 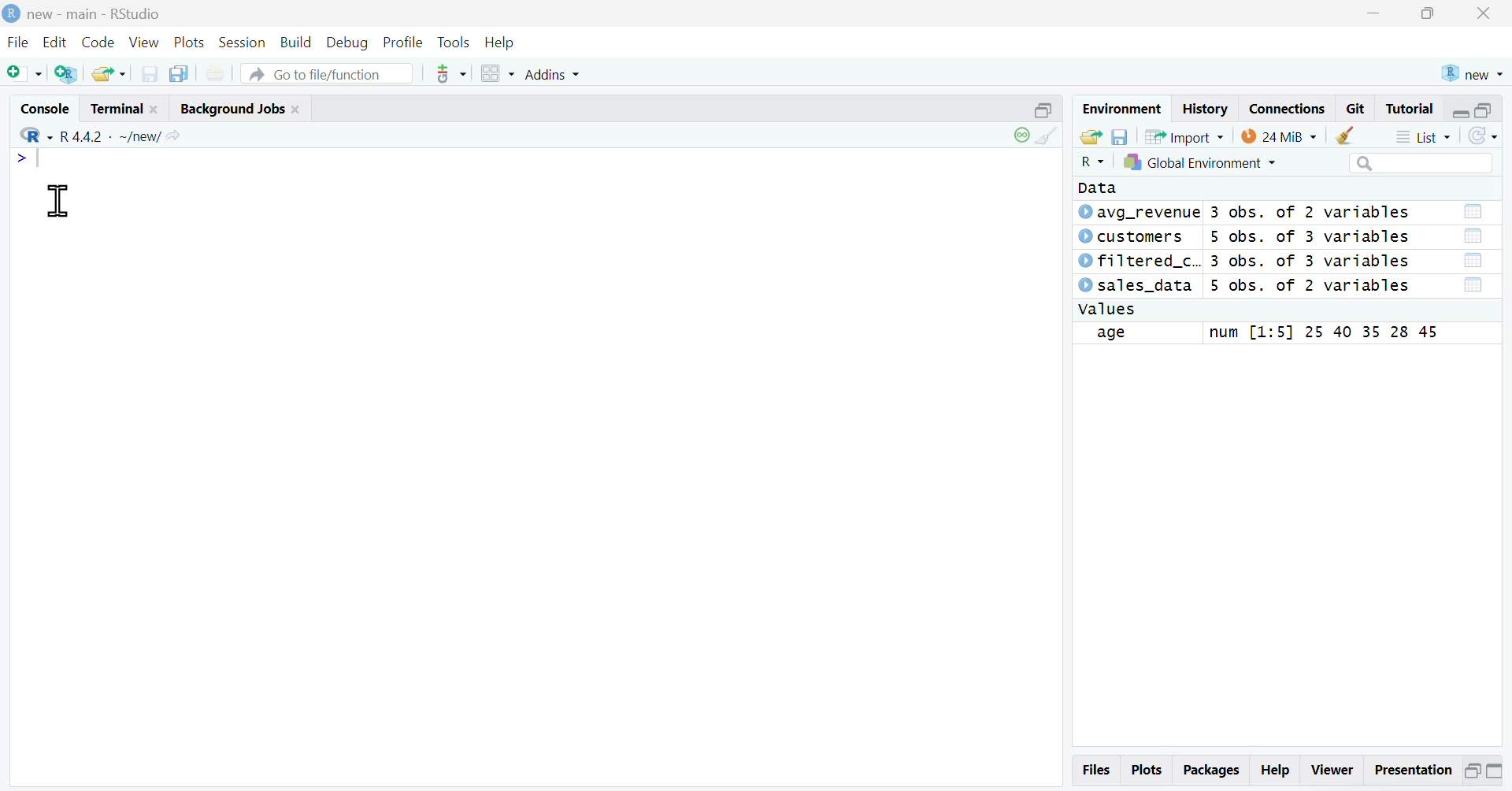 I want to click on File, so click(x=20, y=43).